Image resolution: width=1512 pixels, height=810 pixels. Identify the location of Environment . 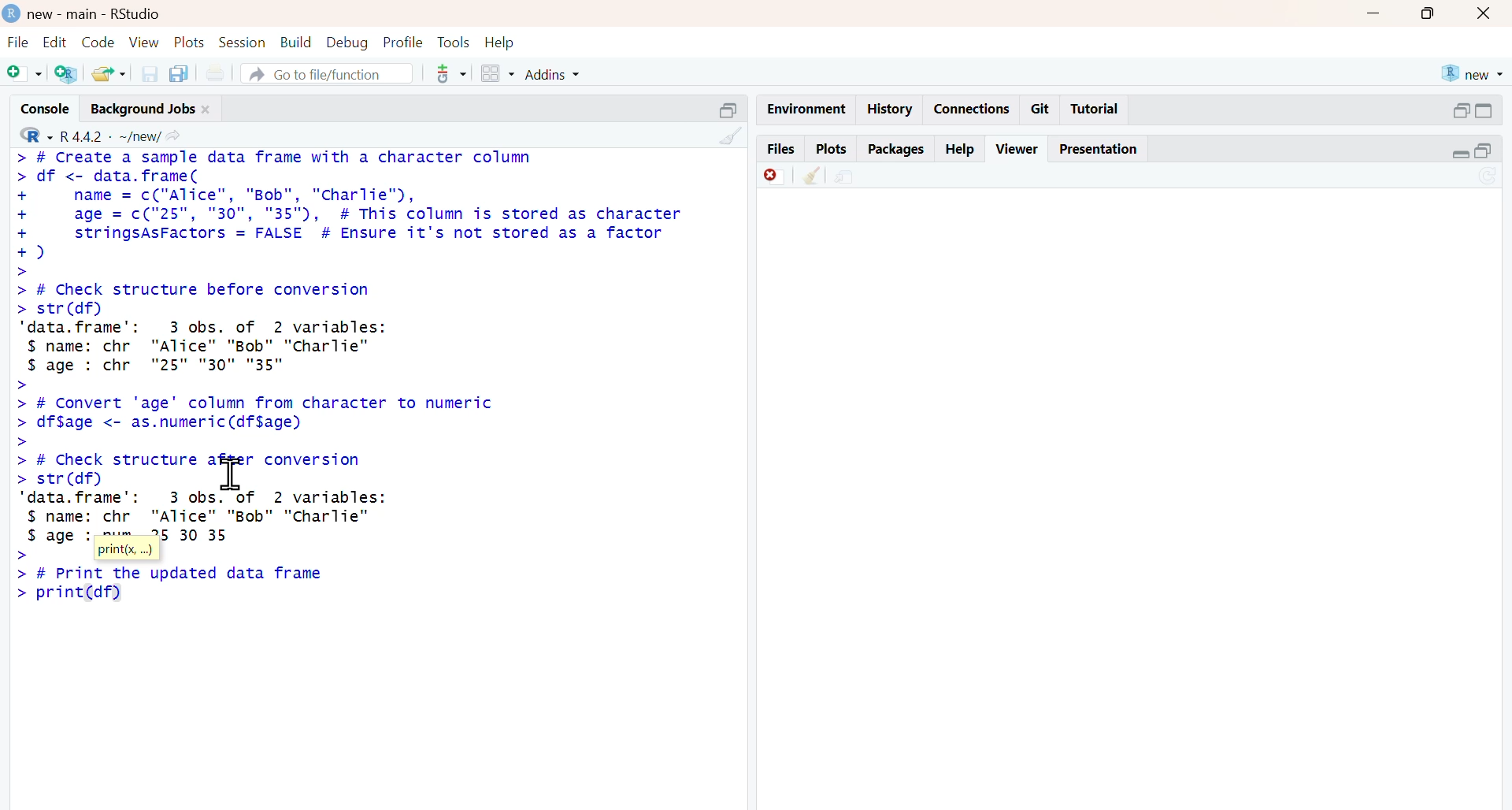
(807, 109).